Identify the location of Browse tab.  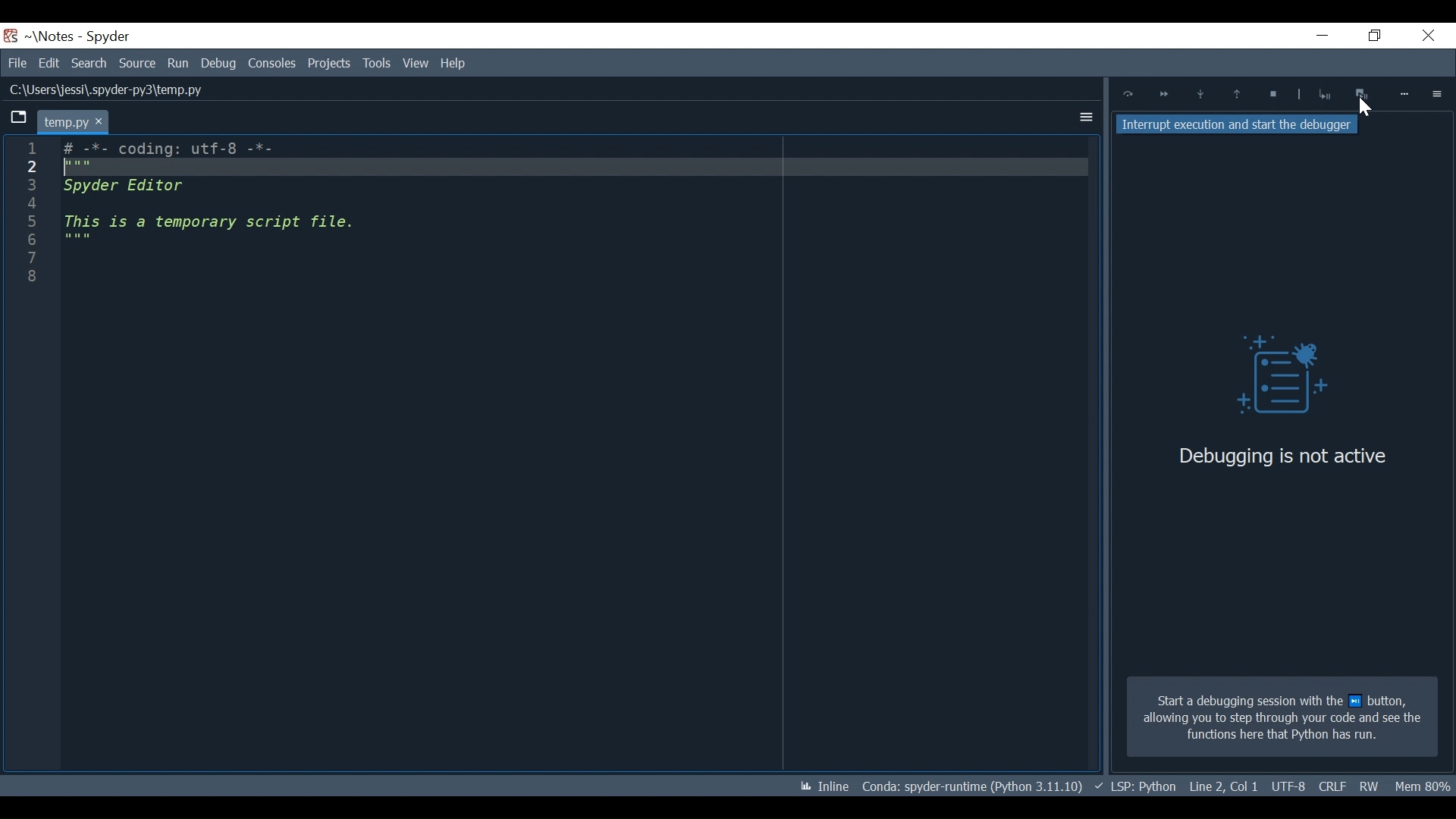
(18, 119).